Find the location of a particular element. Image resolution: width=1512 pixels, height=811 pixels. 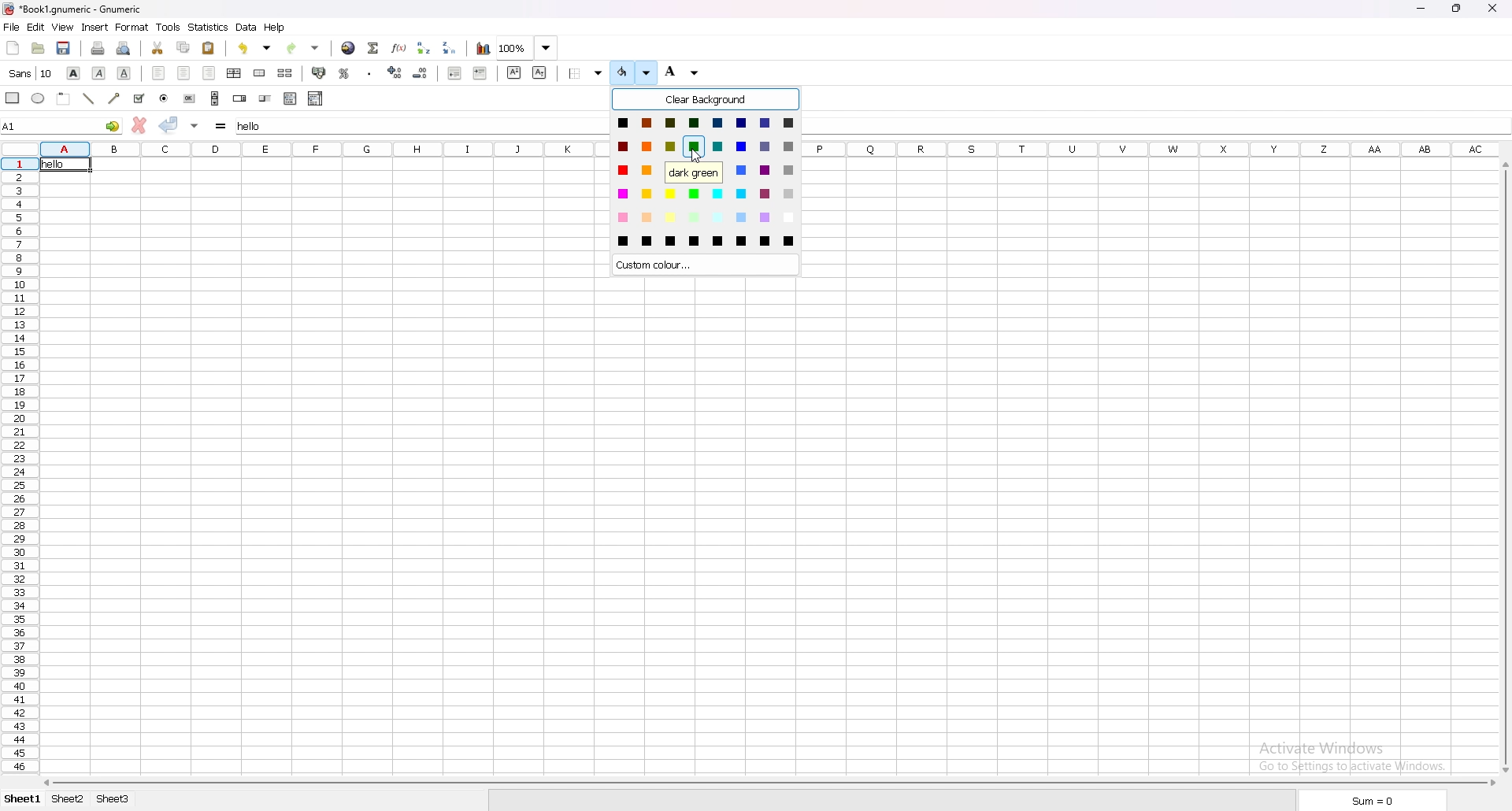

ellipse is located at coordinates (39, 98).